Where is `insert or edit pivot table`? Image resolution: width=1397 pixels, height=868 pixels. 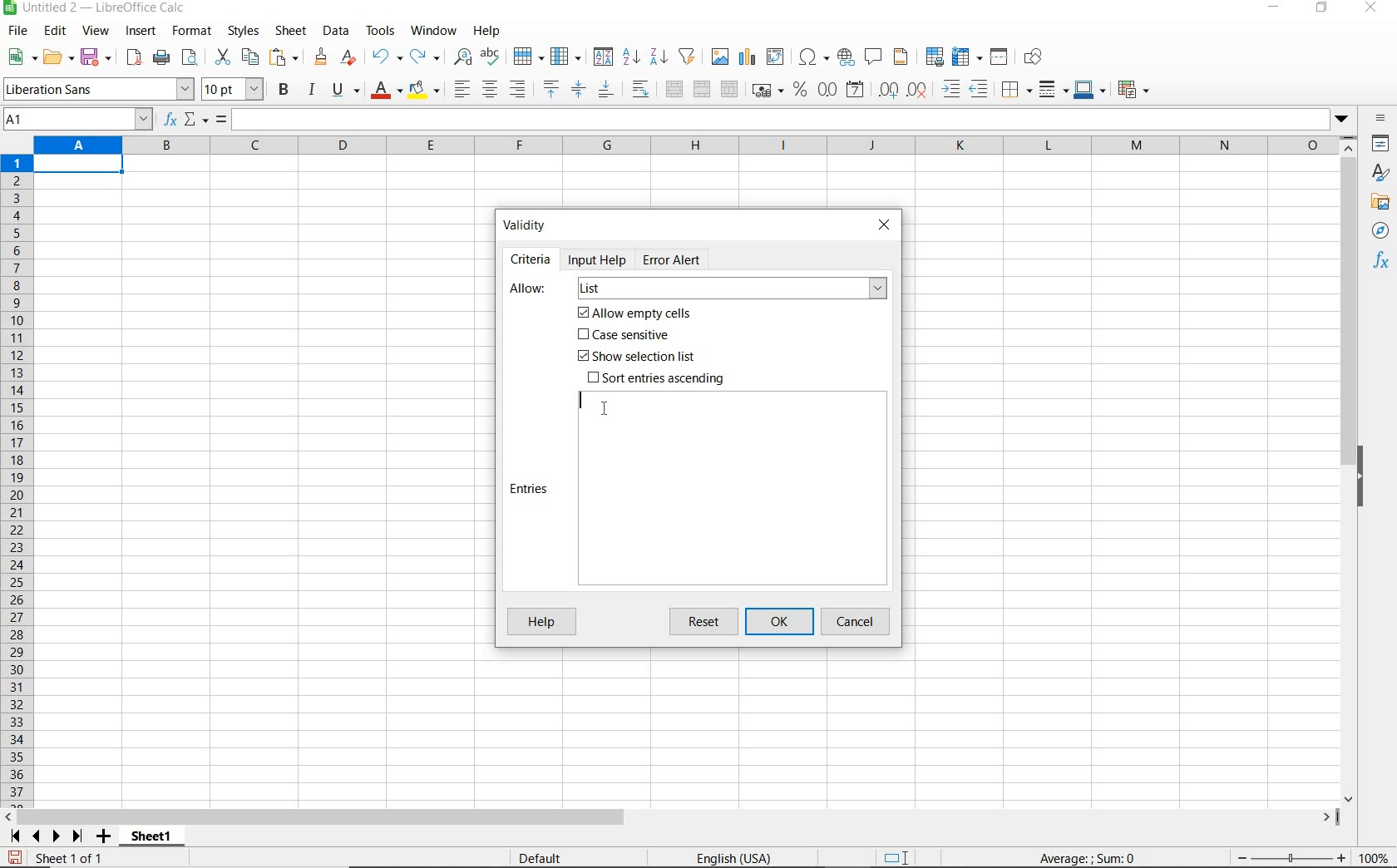 insert or edit pivot table is located at coordinates (777, 57).